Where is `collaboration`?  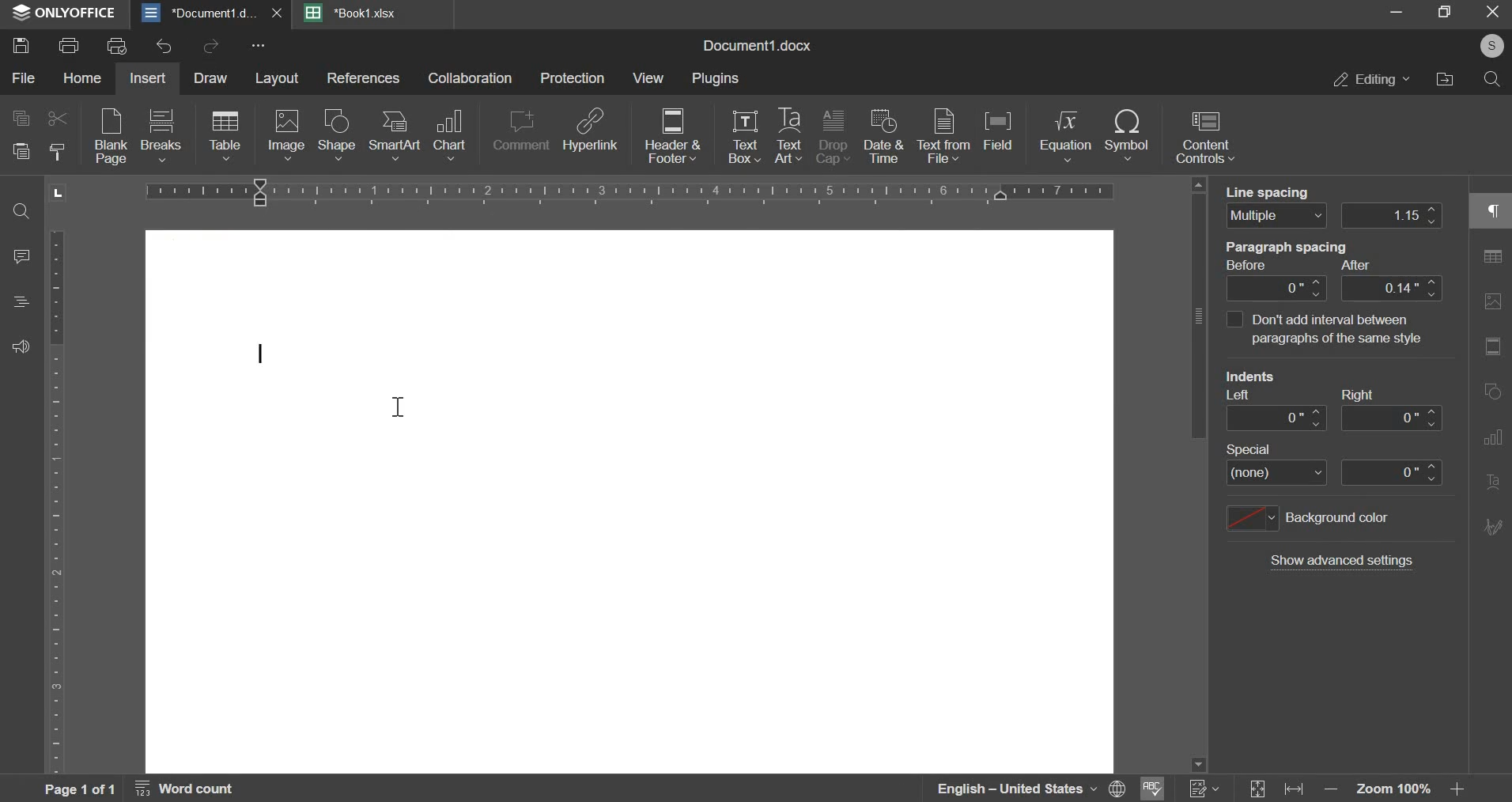 collaboration is located at coordinates (471, 79).